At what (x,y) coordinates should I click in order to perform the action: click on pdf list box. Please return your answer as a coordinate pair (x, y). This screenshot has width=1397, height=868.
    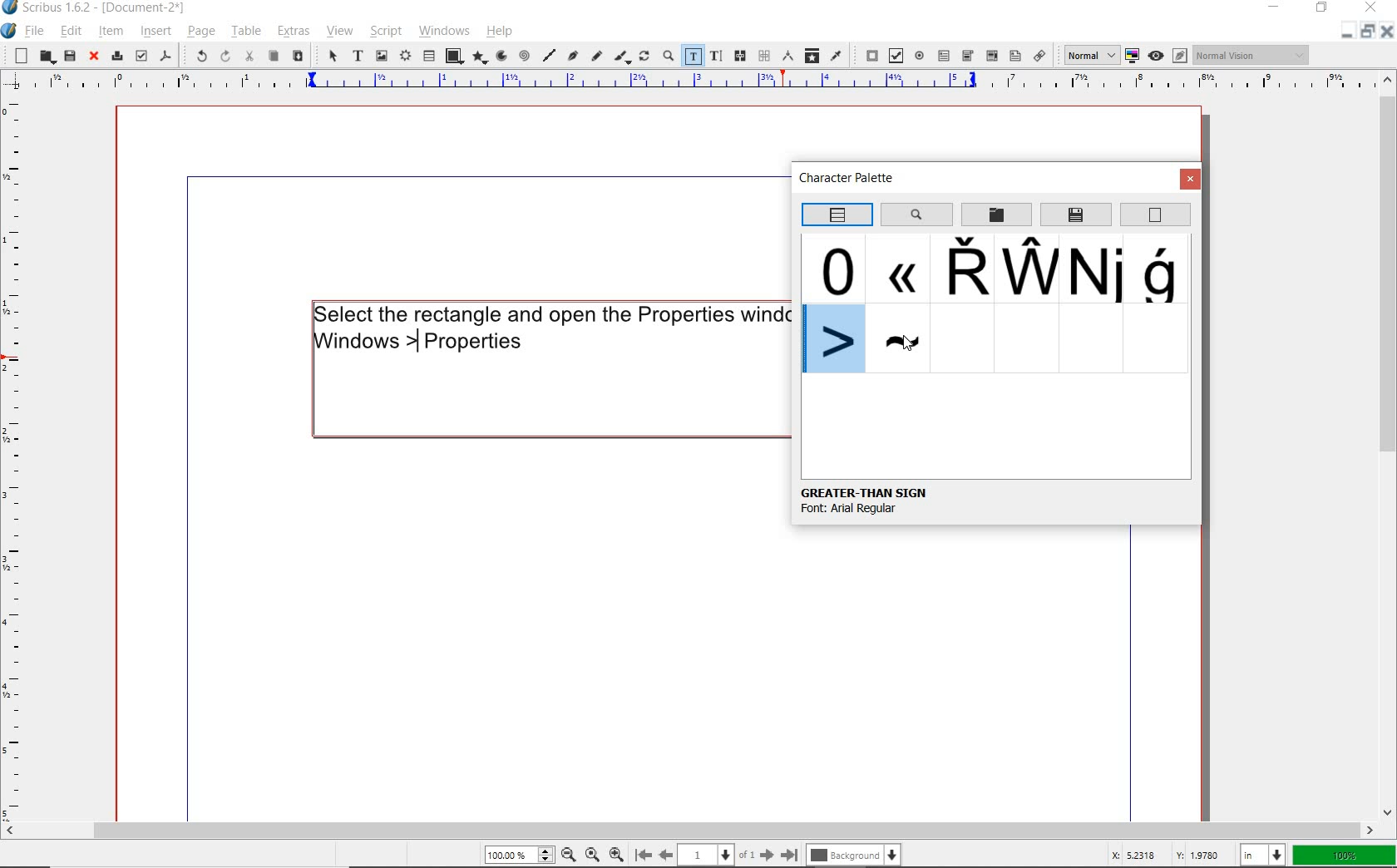
    Looking at the image, I should click on (992, 57).